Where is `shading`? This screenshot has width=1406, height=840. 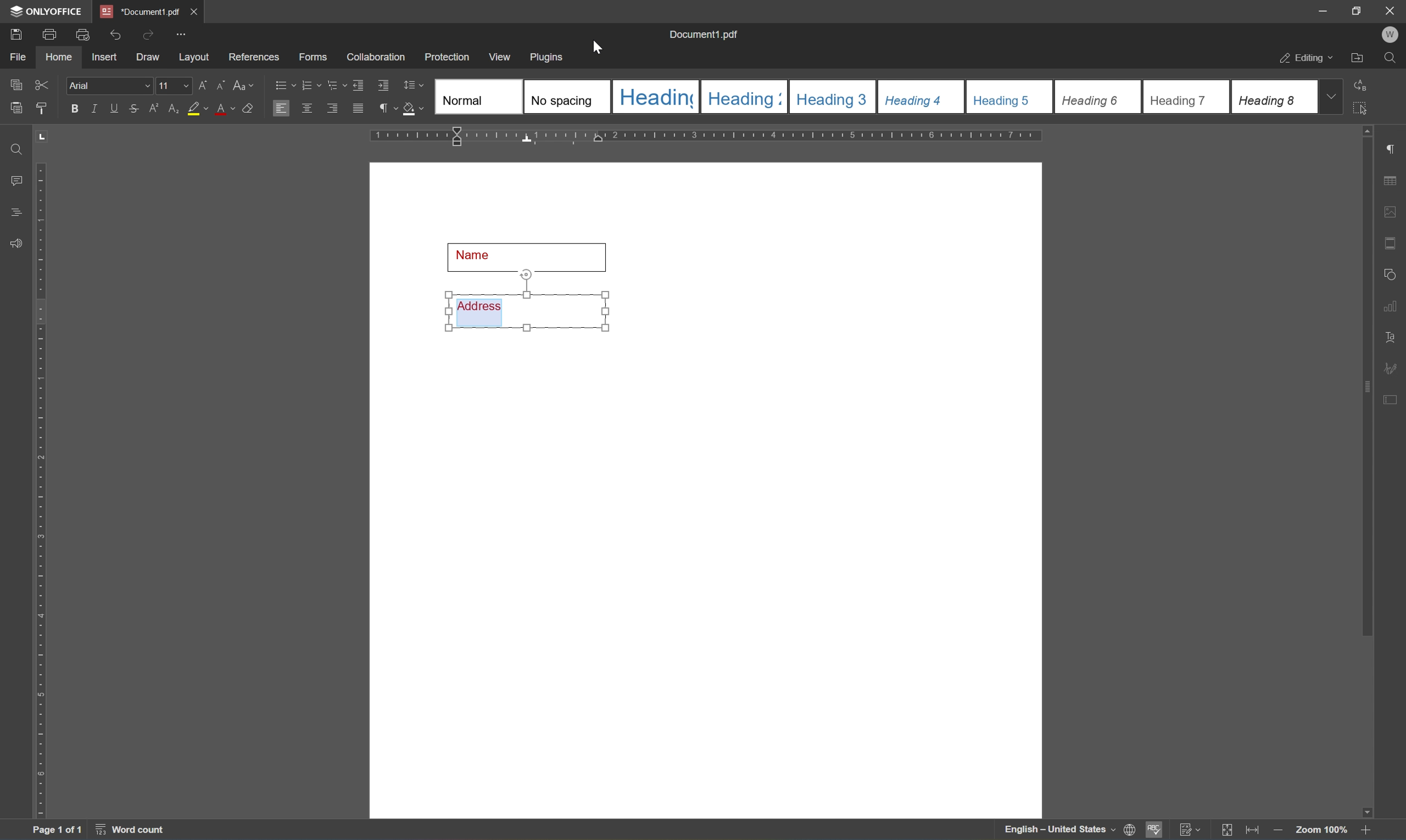
shading is located at coordinates (414, 110).